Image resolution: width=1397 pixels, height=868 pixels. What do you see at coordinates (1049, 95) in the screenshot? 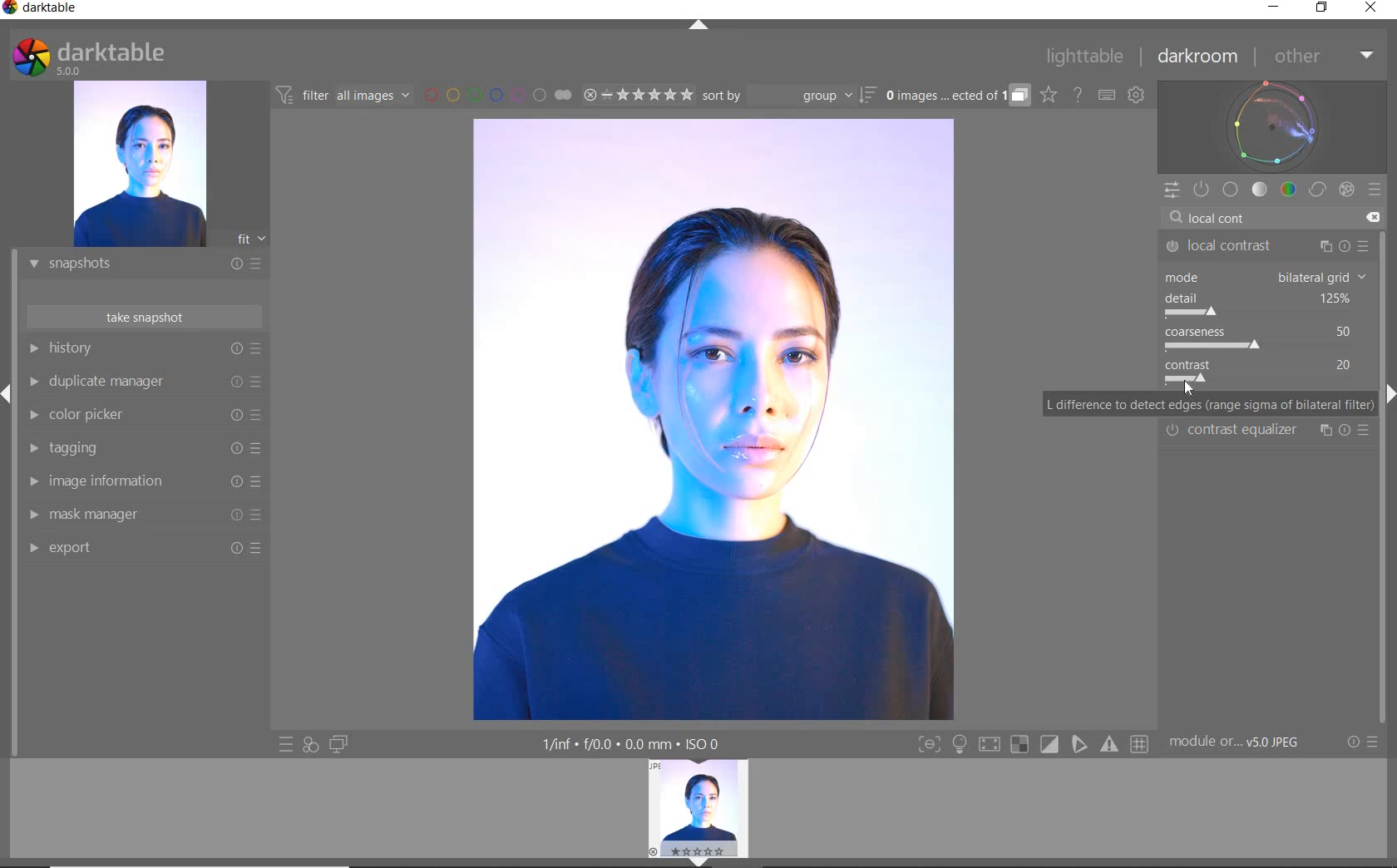
I see `CLICK TO CHANGE THE OVERLAYS SHOWN ON THUMBNAILS` at bounding box center [1049, 95].